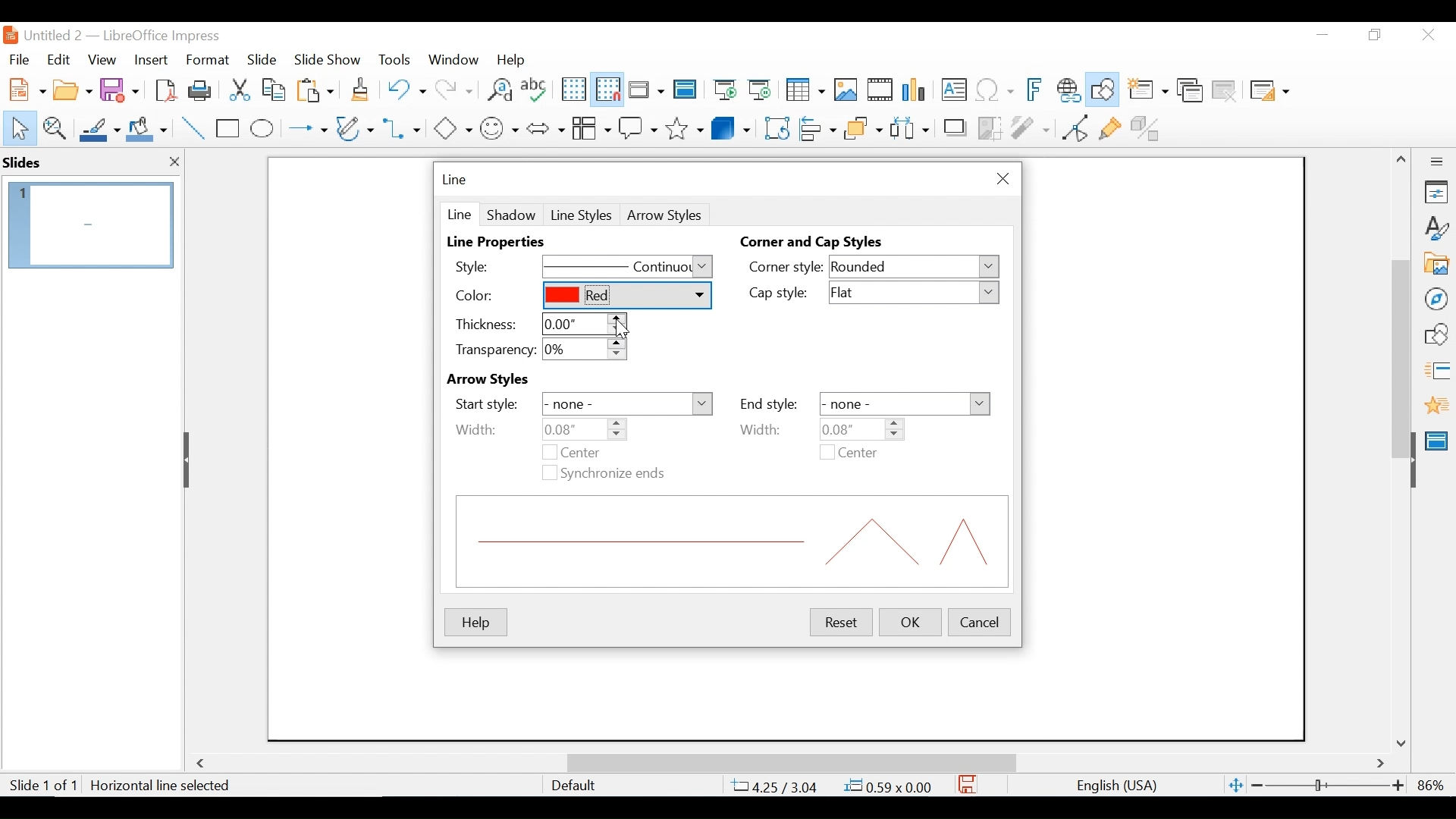 The height and width of the screenshot is (819, 1456). Describe the element at coordinates (912, 622) in the screenshot. I see `OK` at that location.